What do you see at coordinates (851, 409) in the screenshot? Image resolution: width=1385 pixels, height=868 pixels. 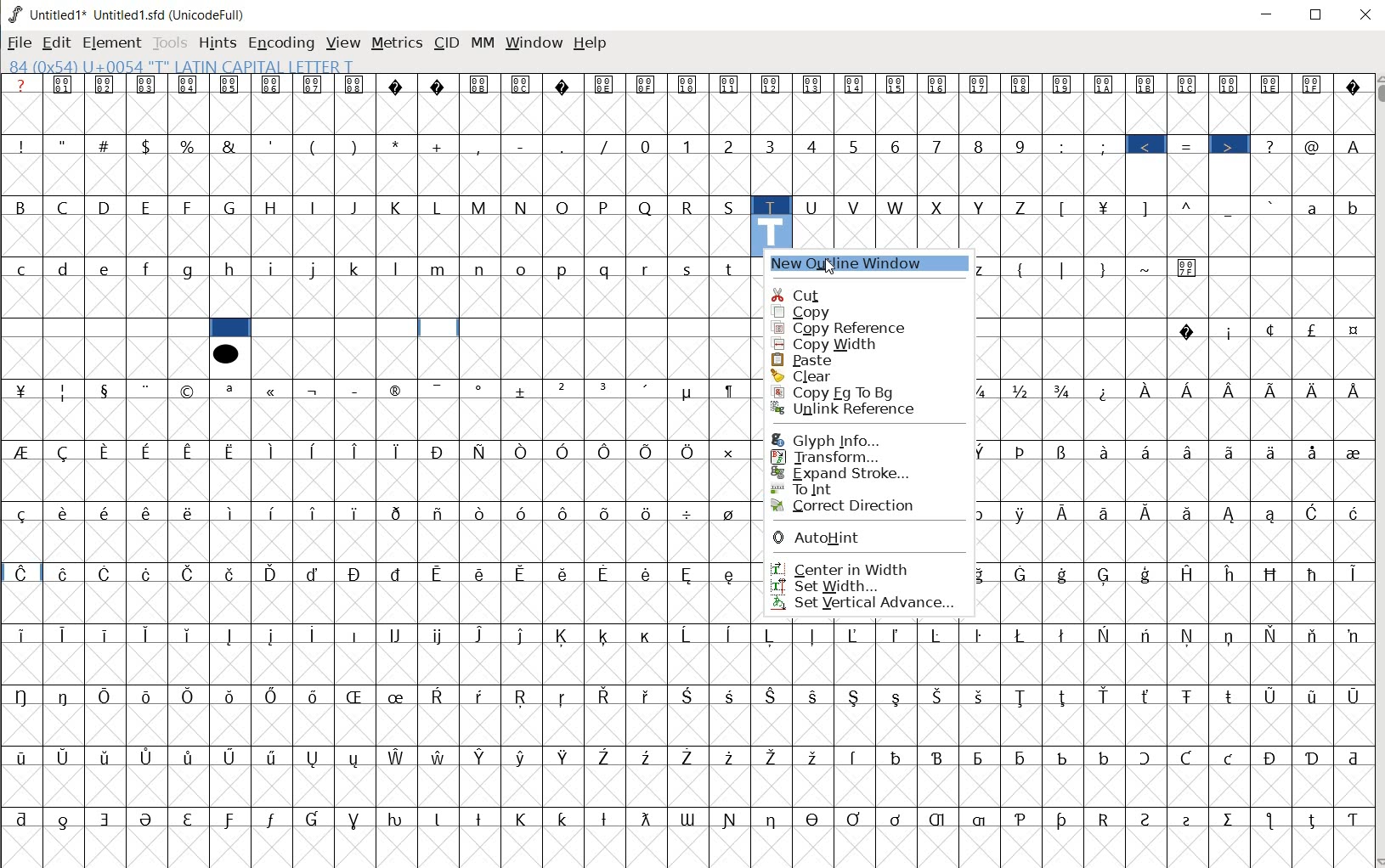 I see `Unlink Reference` at bounding box center [851, 409].